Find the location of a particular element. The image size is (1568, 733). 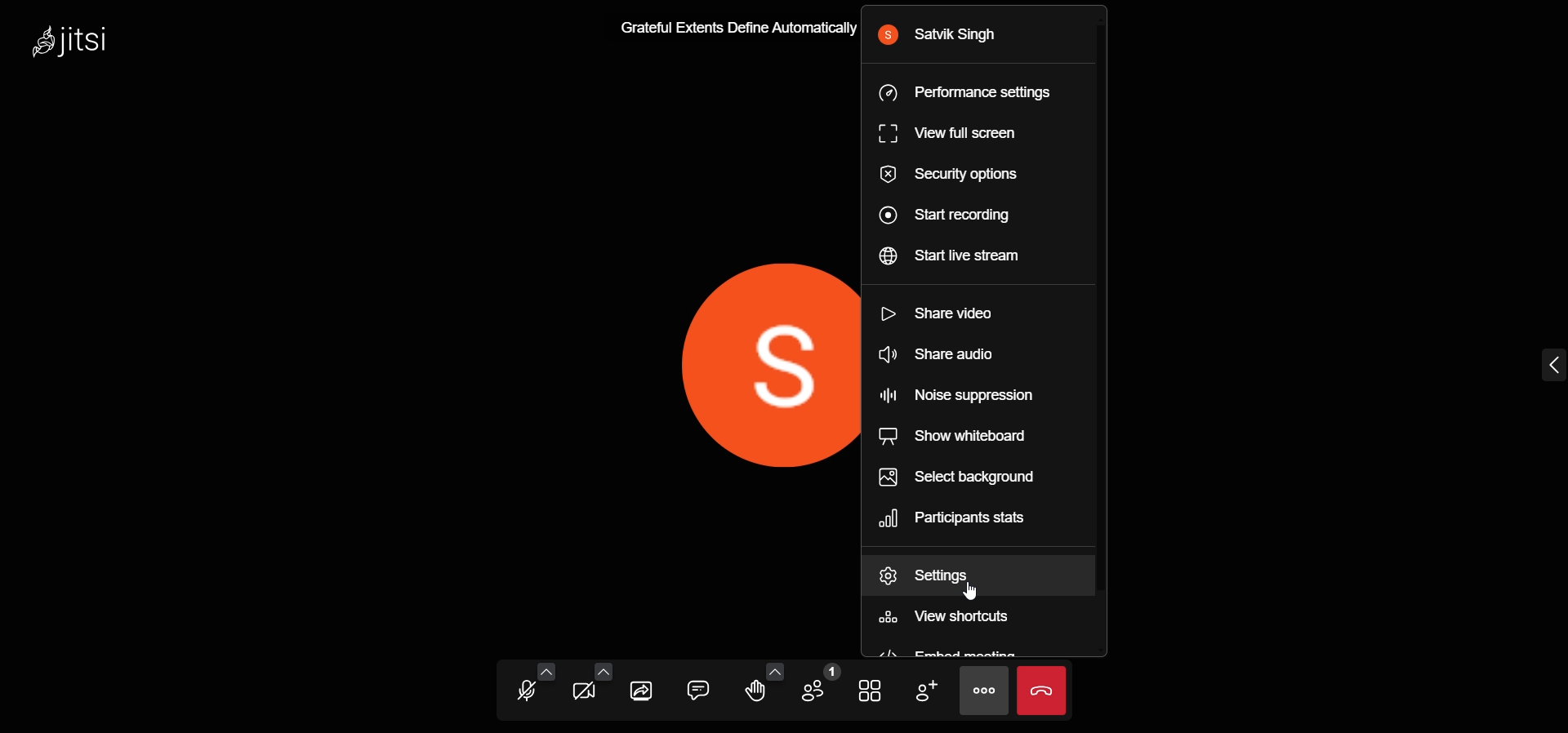

screen share is located at coordinates (645, 690).